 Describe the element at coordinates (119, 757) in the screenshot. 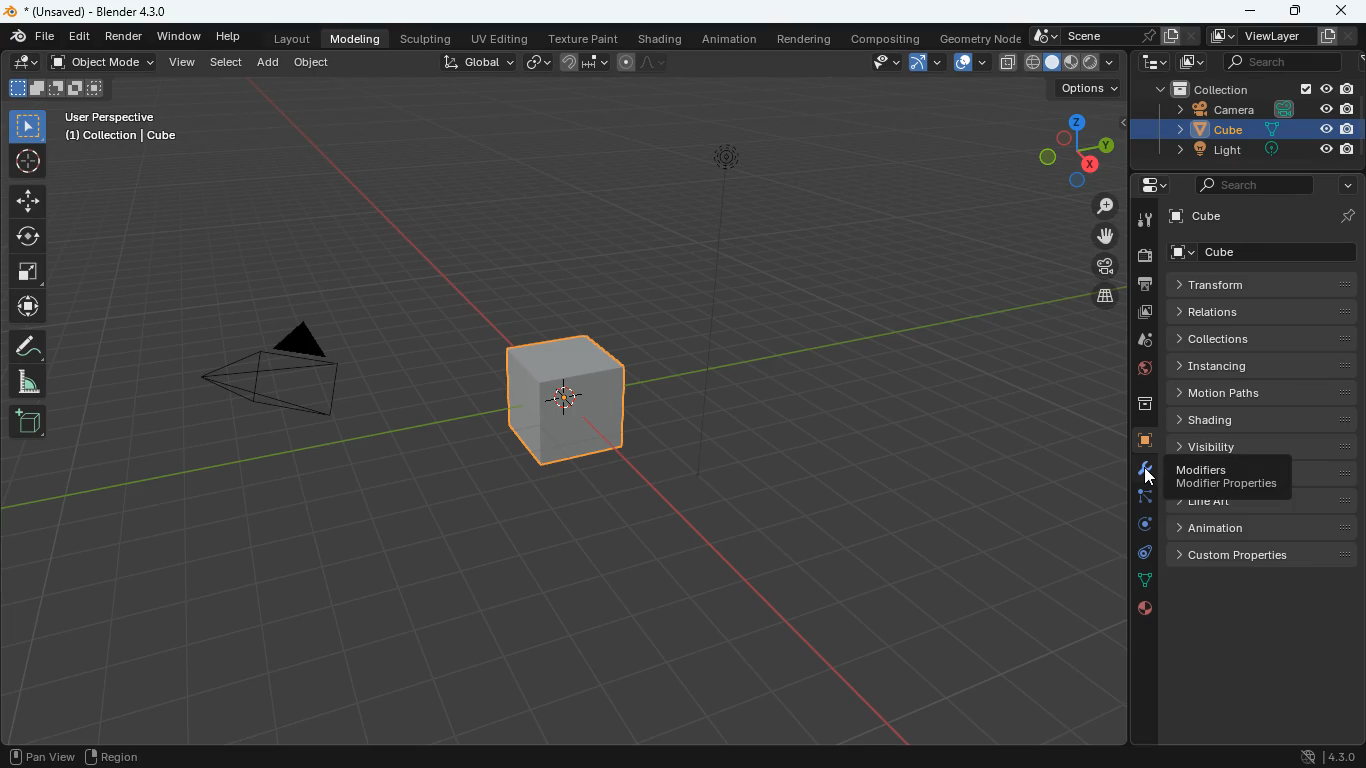

I see `region` at that location.